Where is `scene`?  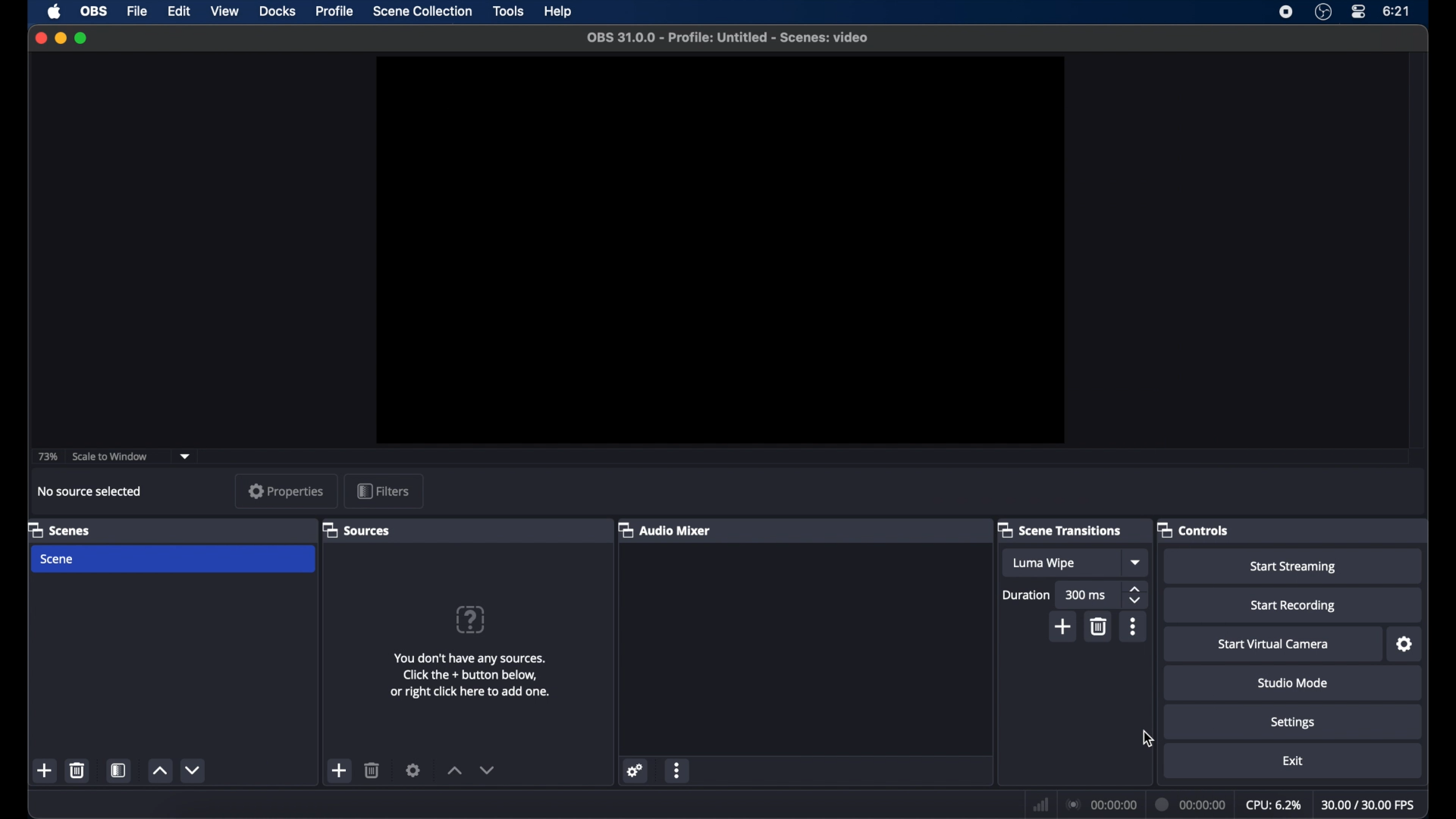
scene is located at coordinates (58, 560).